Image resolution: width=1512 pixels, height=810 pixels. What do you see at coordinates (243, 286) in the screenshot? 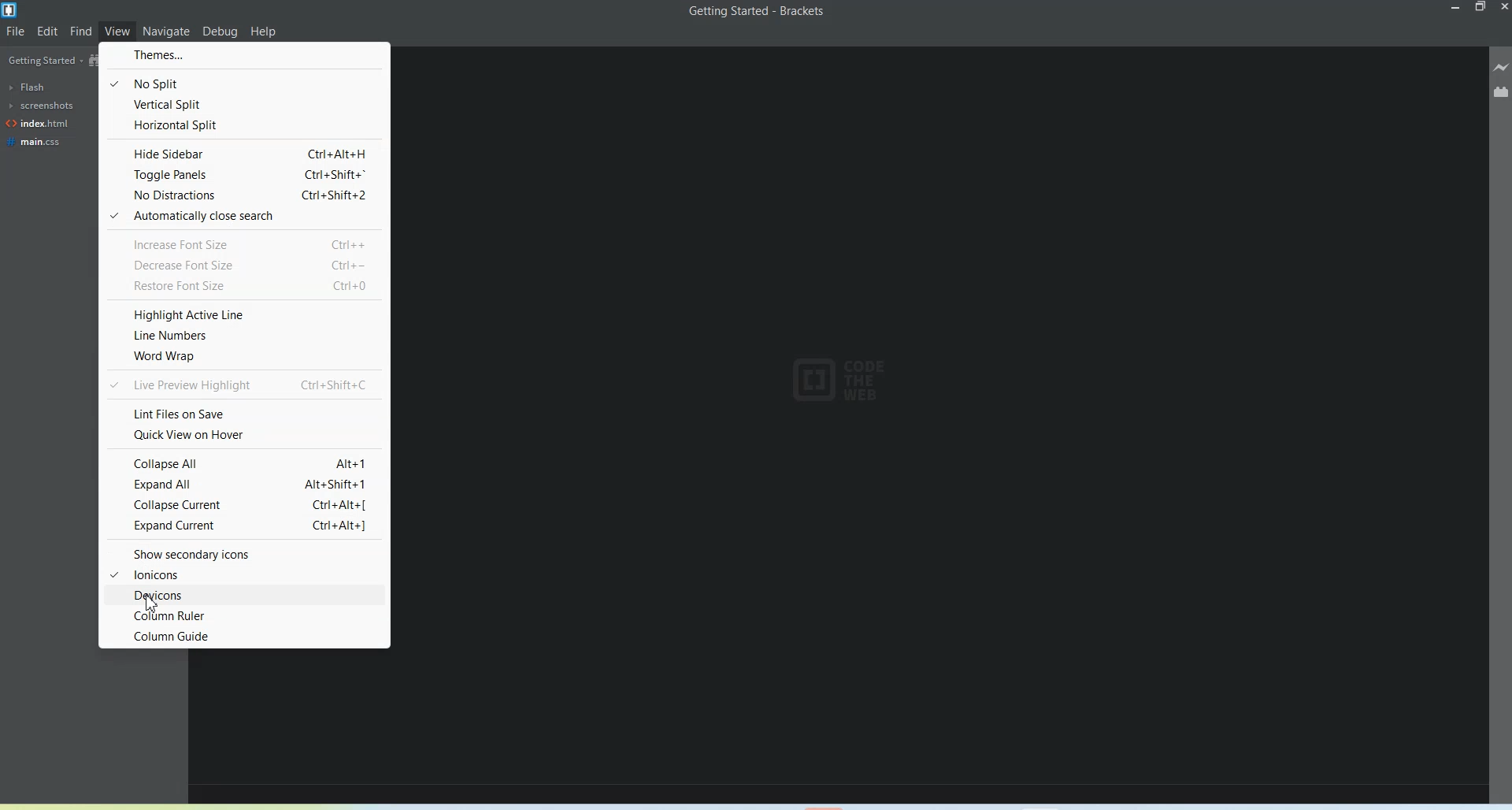
I see `Restore Font Size` at bounding box center [243, 286].